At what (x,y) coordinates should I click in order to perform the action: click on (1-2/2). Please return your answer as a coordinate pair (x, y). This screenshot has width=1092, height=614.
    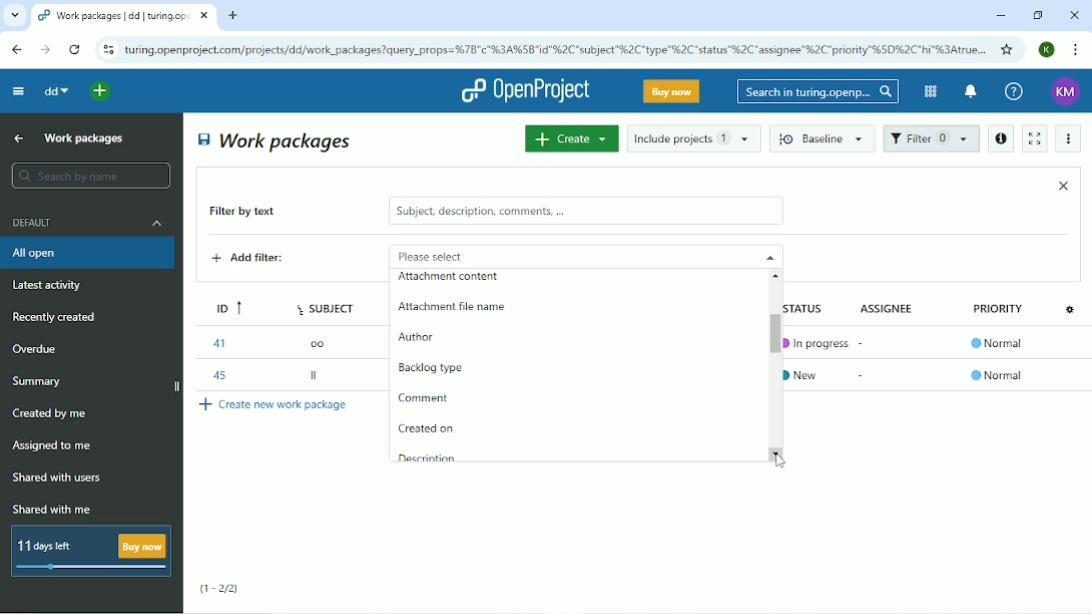
    Looking at the image, I should click on (220, 589).